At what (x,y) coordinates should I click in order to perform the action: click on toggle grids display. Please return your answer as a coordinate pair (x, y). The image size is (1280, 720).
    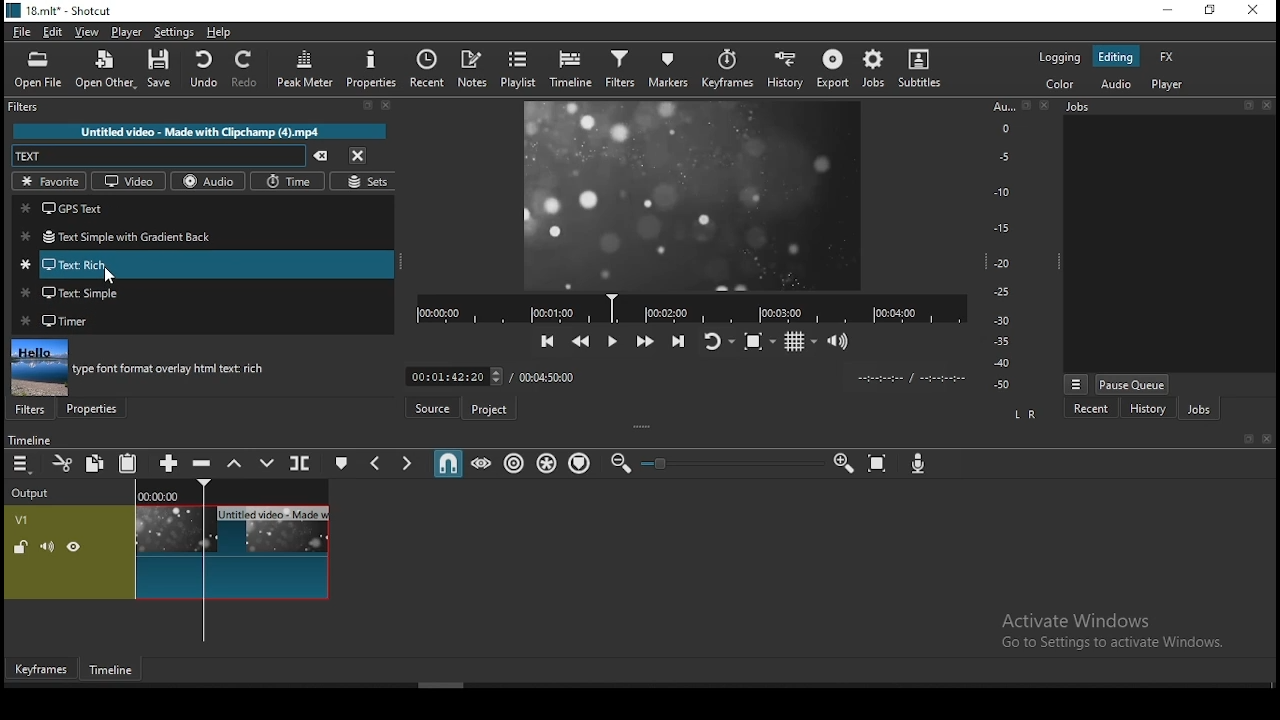
    Looking at the image, I should click on (799, 342).